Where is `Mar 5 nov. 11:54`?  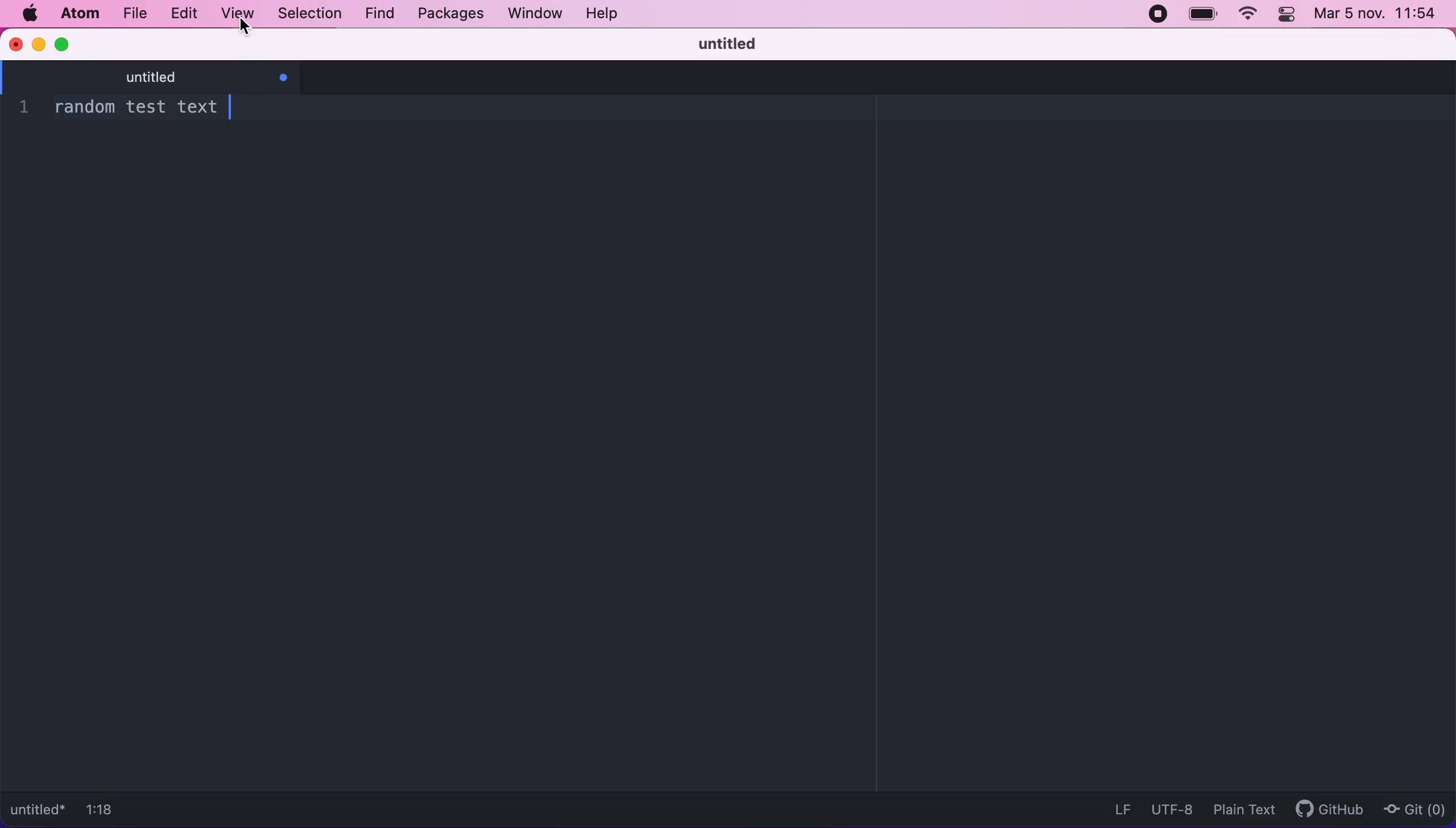
Mar 5 nov. 11:54 is located at coordinates (1377, 14).